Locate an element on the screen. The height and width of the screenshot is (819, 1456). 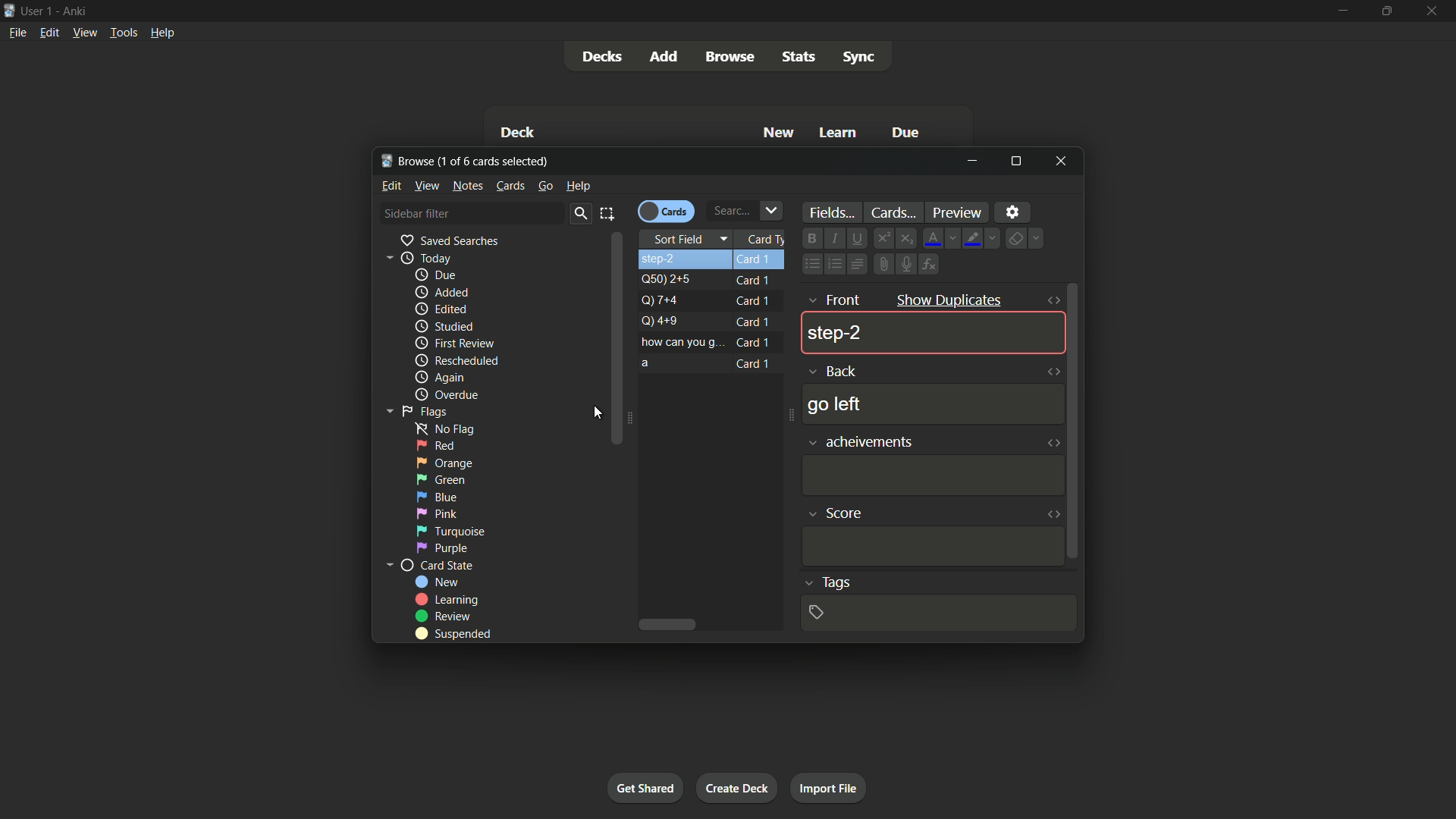
Cards is located at coordinates (510, 186).